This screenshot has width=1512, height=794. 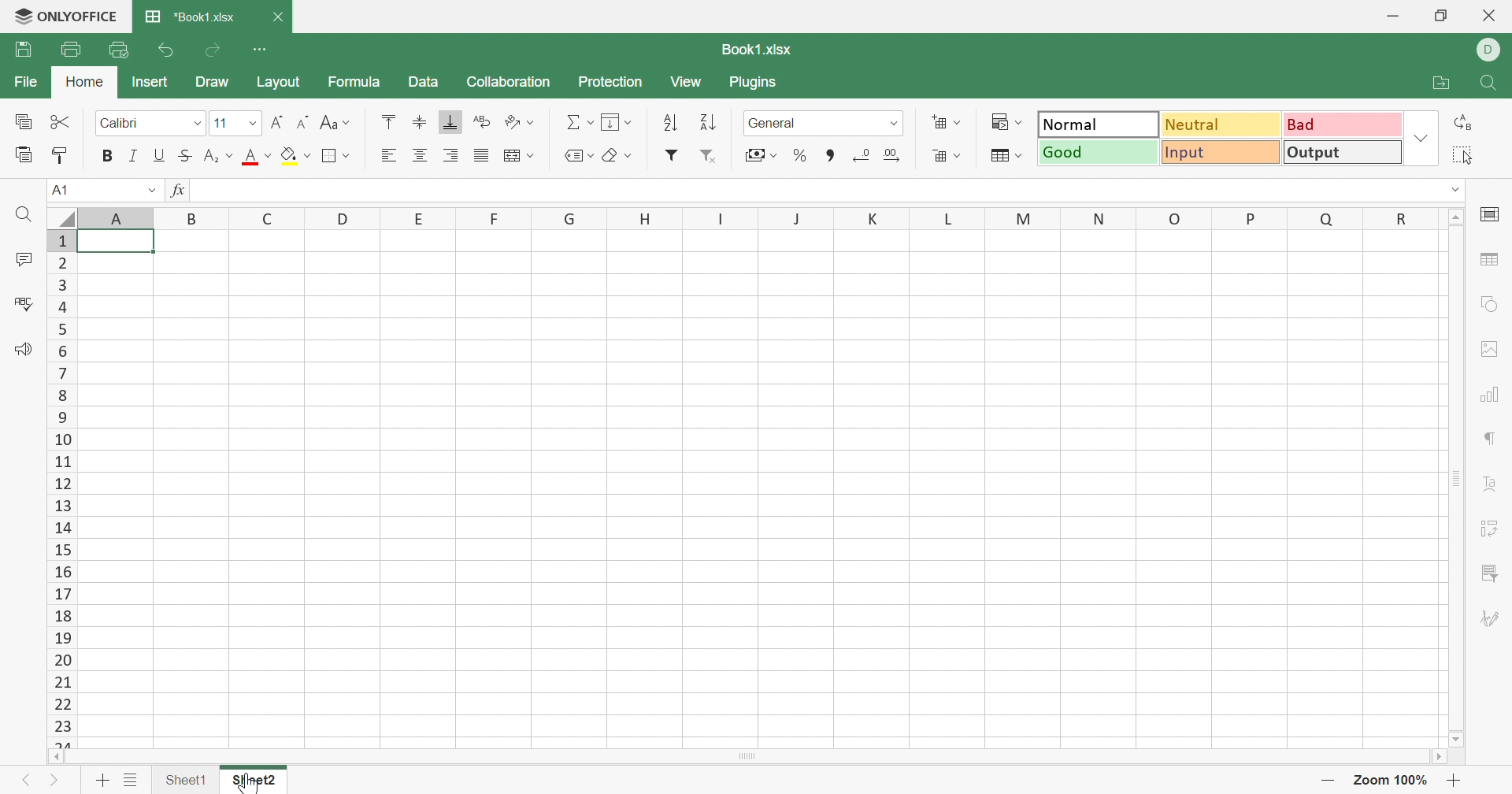 I want to click on Feedback & Support, so click(x=26, y=350).